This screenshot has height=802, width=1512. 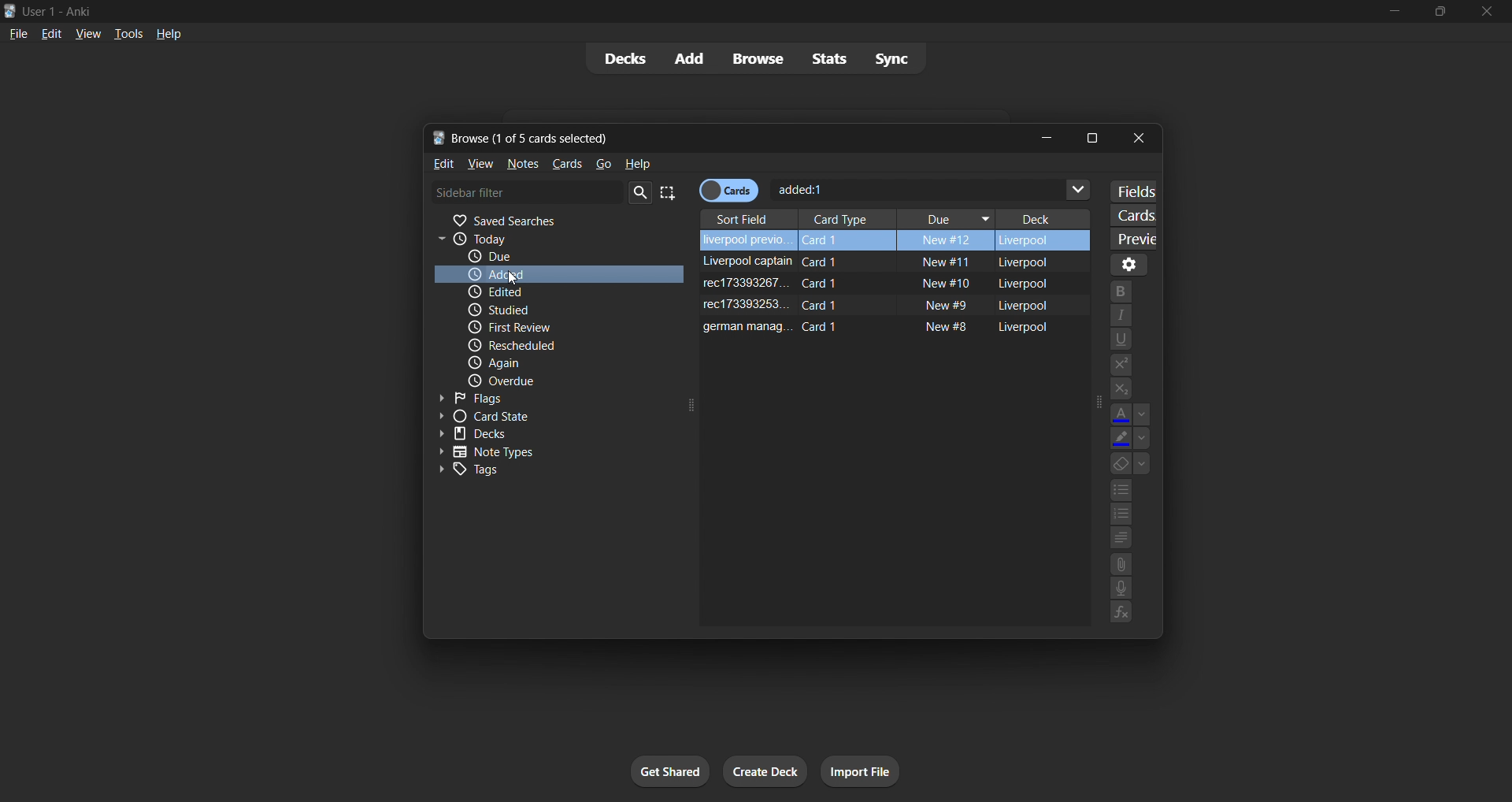 What do you see at coordinates (478, 163) in the screenshot?
I see `view` at bounding box center [478, 163].